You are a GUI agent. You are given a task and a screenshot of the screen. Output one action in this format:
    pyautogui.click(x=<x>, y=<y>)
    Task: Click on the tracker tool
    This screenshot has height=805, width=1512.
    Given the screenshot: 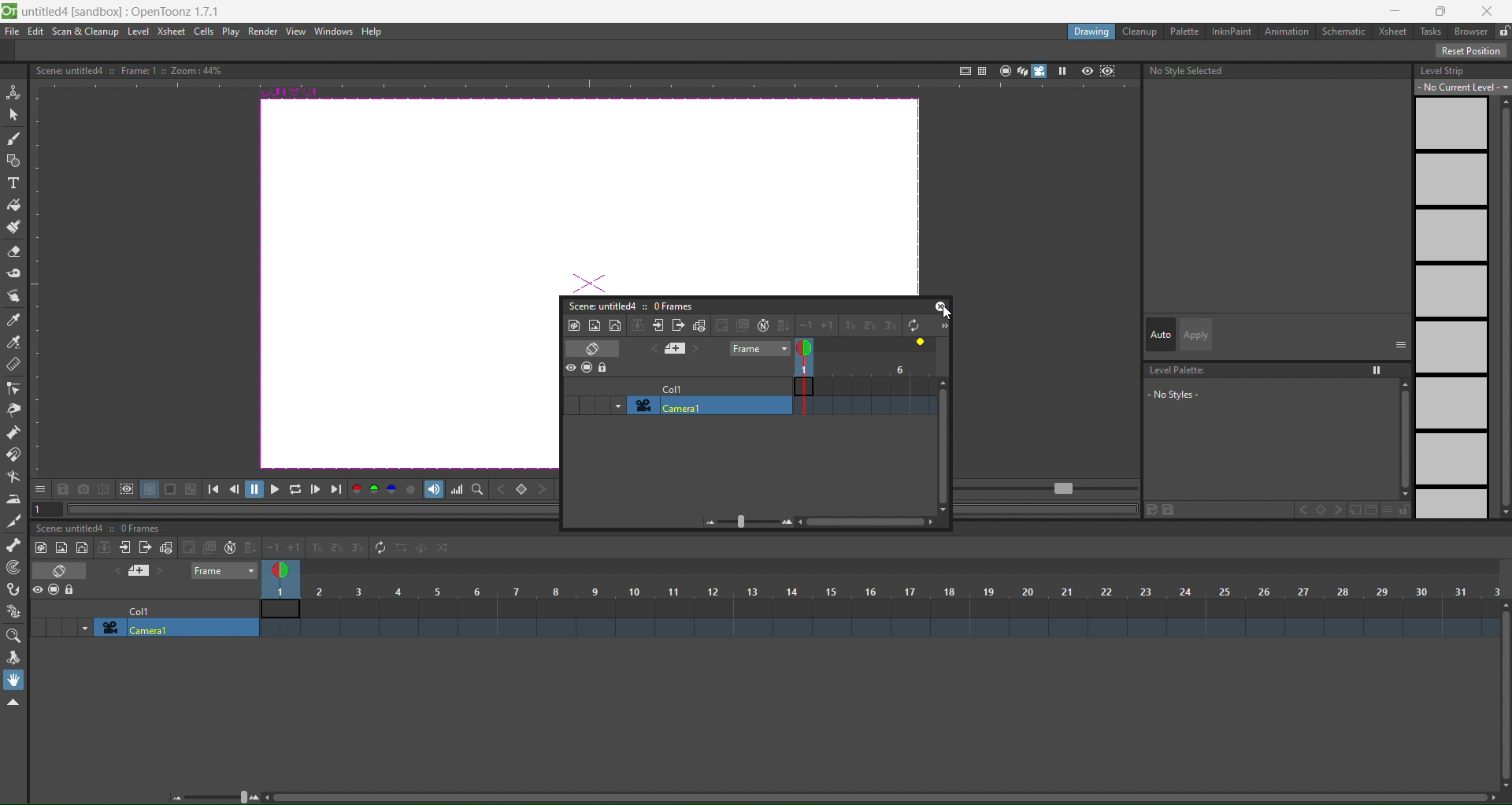 What is the action you would take?
    pyautogui.click(x=15, y=568)
    